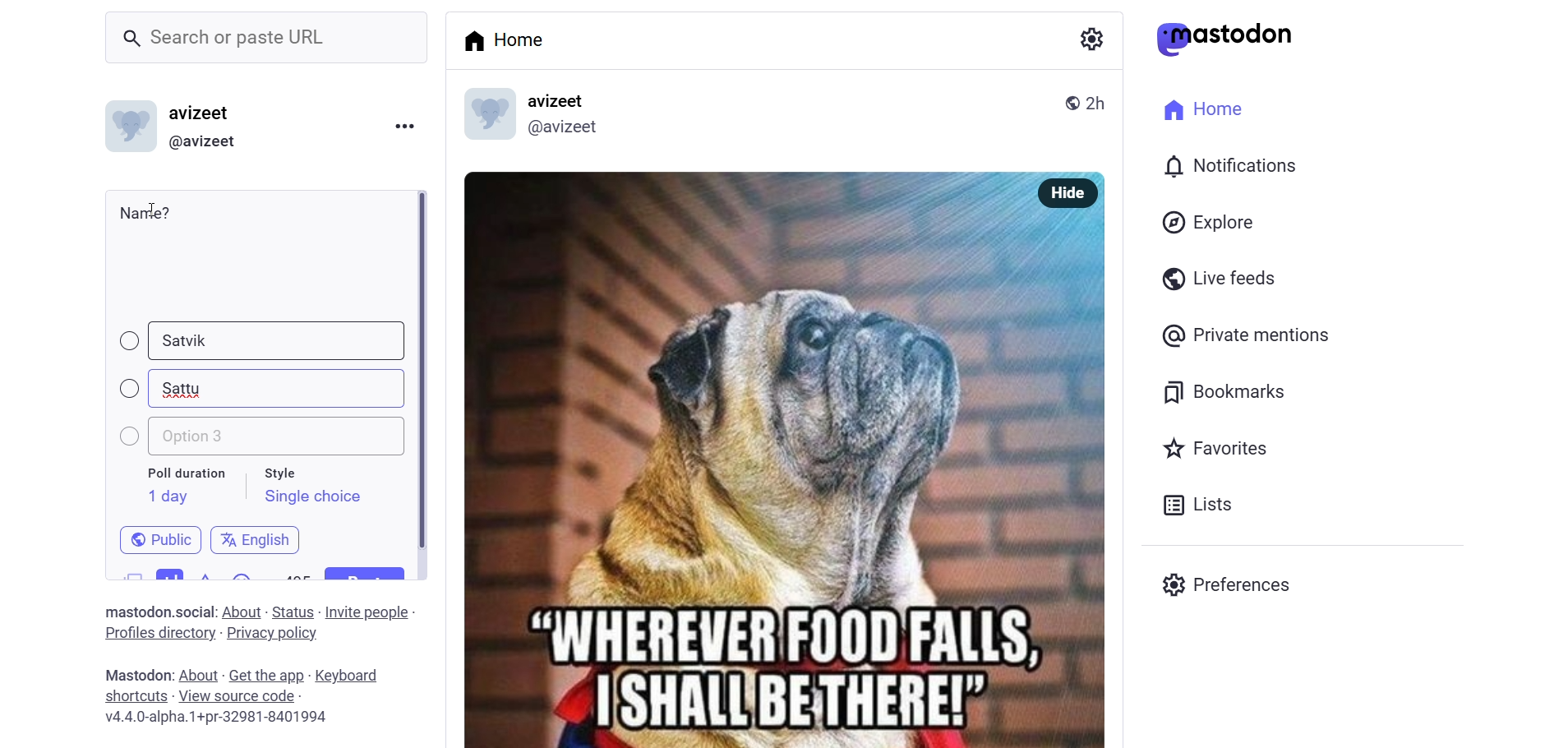 The width and height of the screenshot is (1568, 748). Describe the element at coordinates (126, 130) in the screenshot. I see `id` at that location.